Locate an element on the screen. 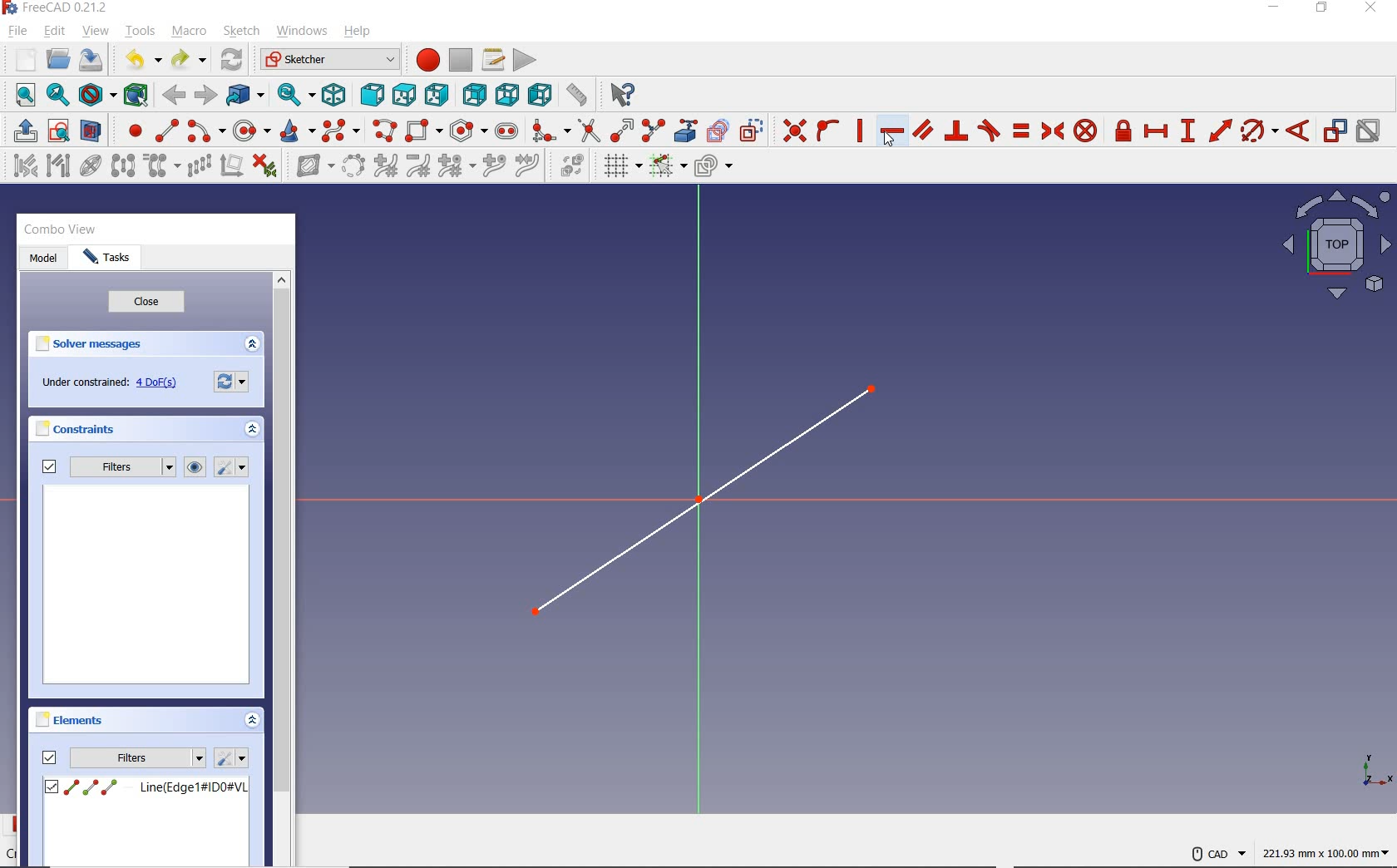 This screenshot has width=1397, height=868. DELETE ALL CONSTRAINTS is located at coordinates (265, 165).